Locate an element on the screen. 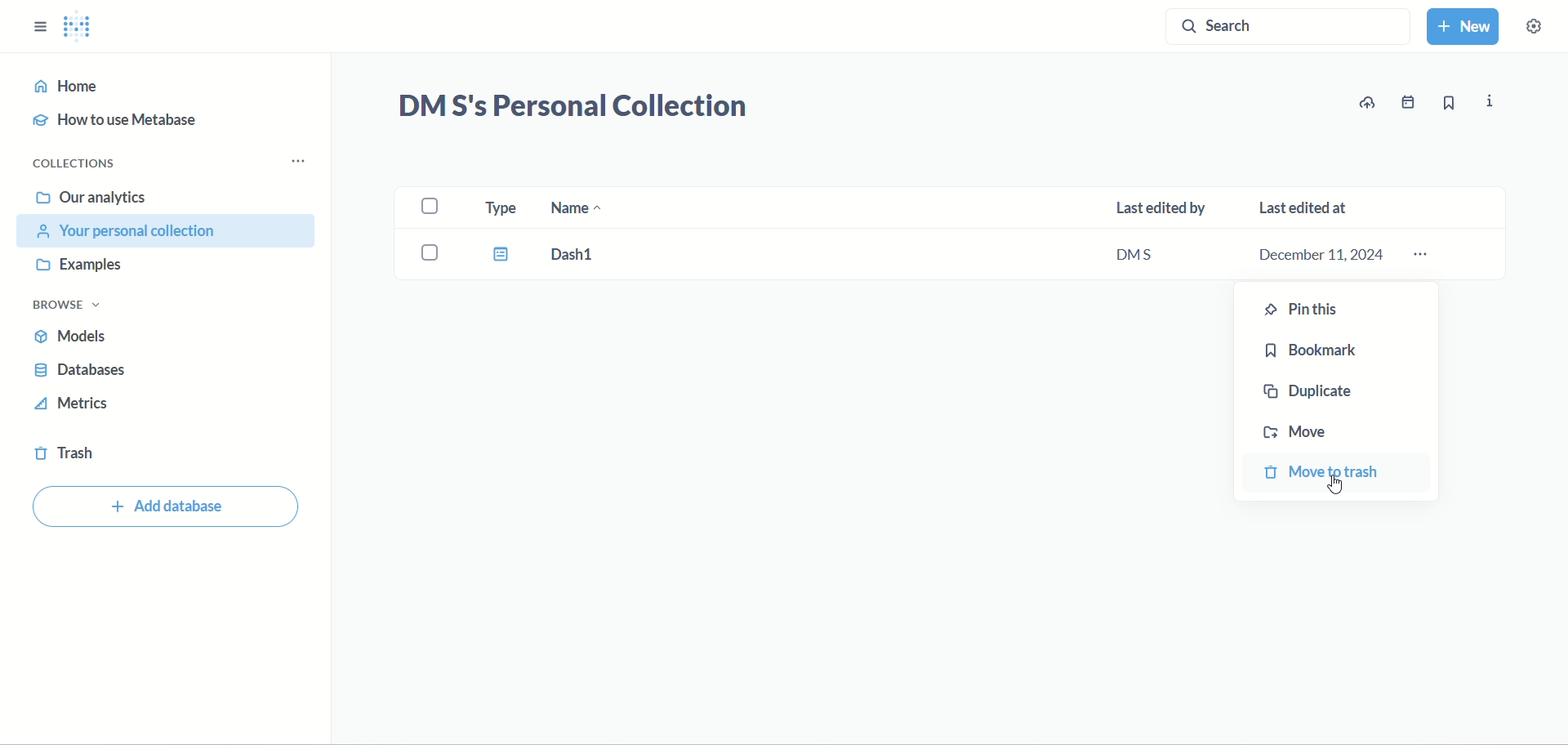 The image size is (1568, 745). cursor is located at coordinates (1339, 489).